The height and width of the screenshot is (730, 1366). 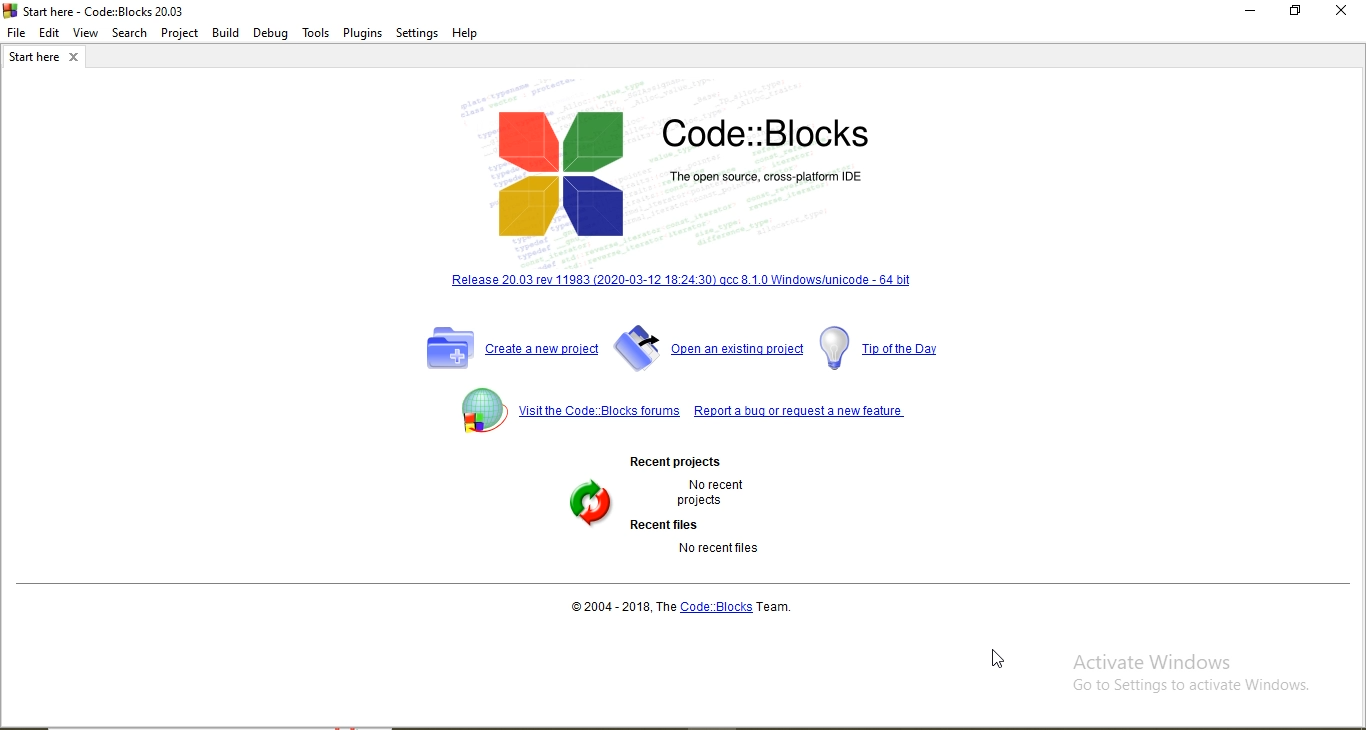 What do you see at coordinates (94, 10) in the screenshot?
I see `Start here -  Code:Blocks 20.03` at bounding box center [94, 10].